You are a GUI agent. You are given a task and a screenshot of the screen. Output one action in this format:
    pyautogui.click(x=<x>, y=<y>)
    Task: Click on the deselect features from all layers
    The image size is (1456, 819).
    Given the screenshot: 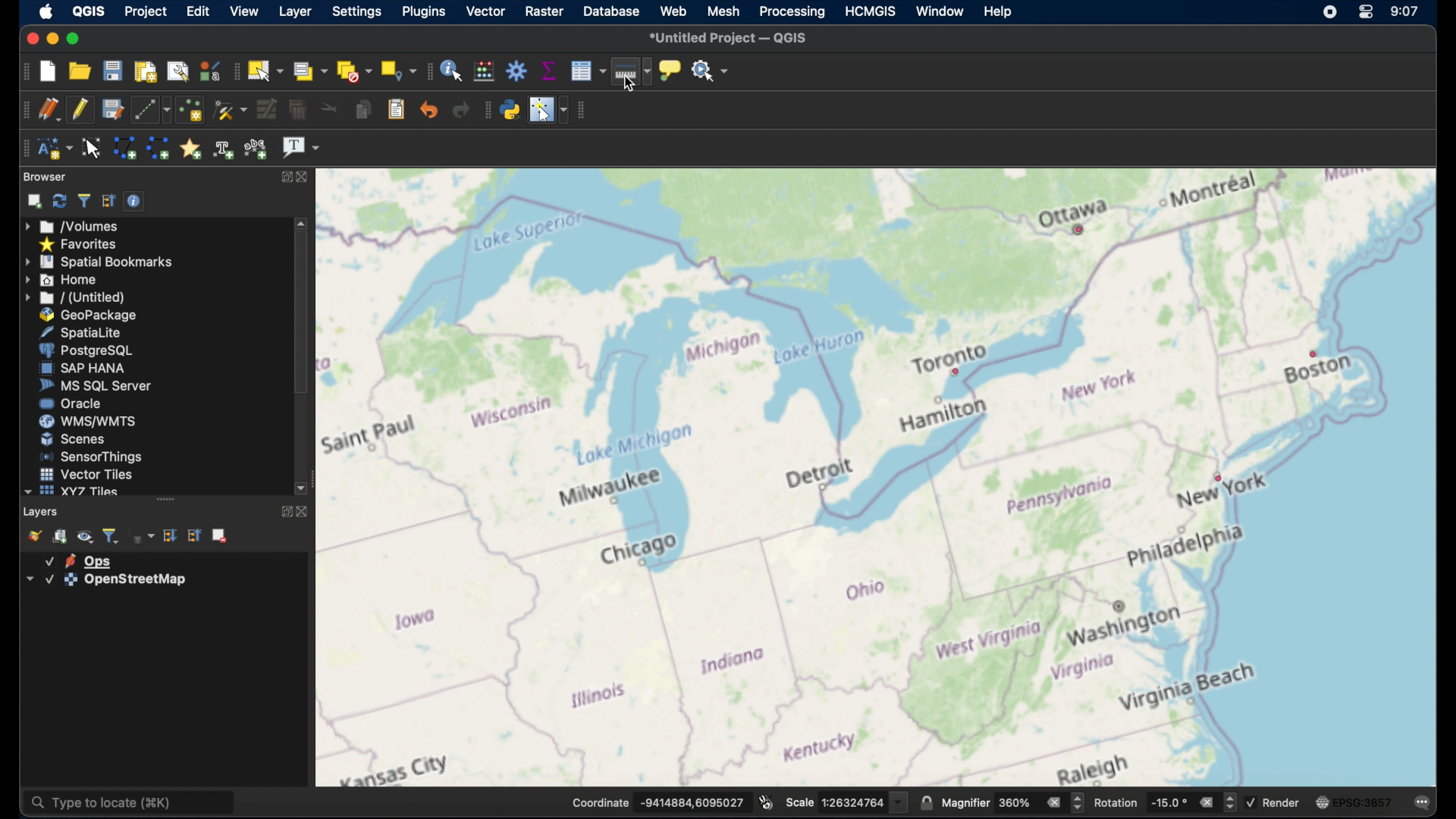 What is the action you would take?
    pyautogui.click(x=353, y=71)
    